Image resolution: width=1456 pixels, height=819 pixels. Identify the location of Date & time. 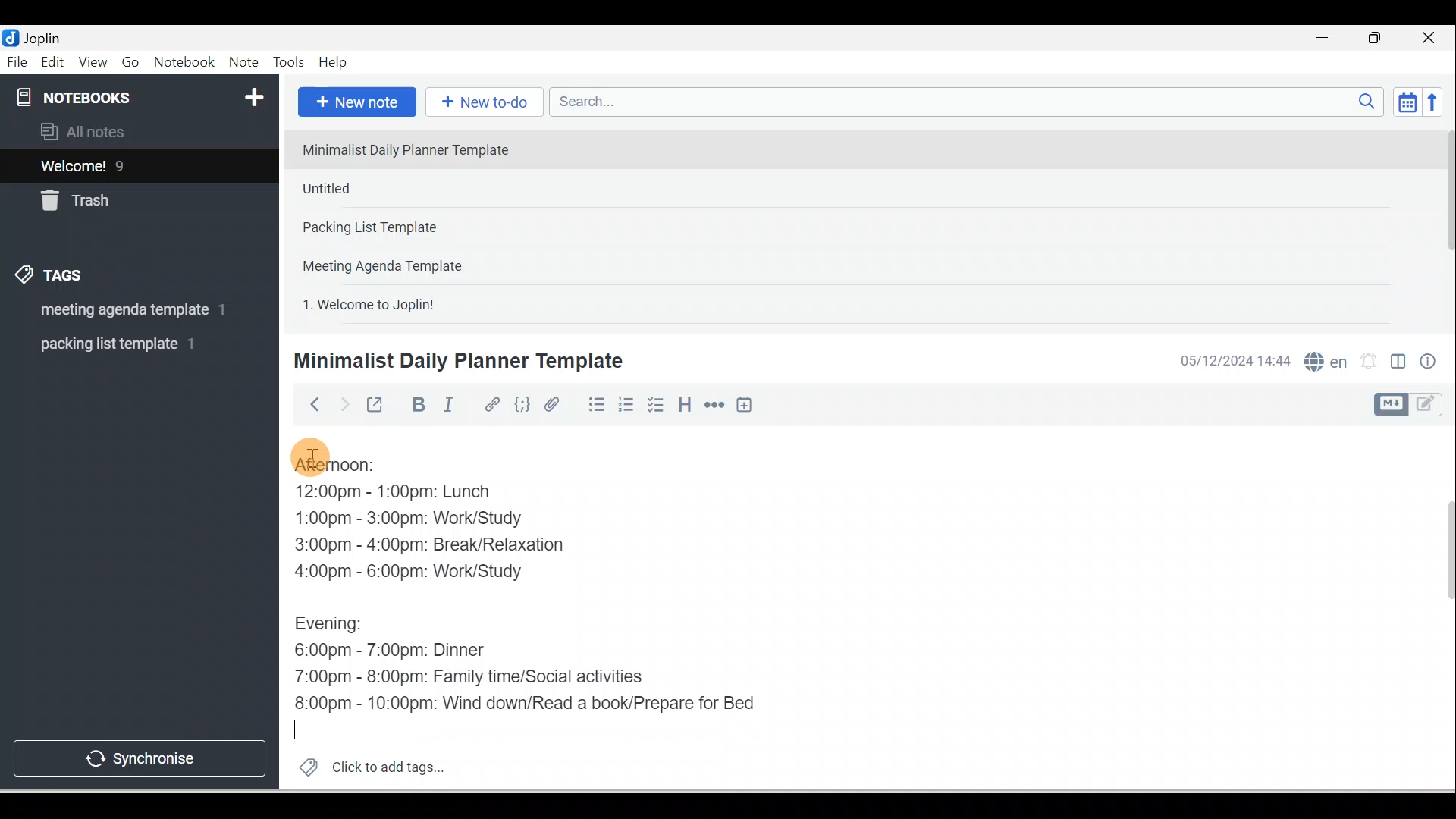
(1232, 361).